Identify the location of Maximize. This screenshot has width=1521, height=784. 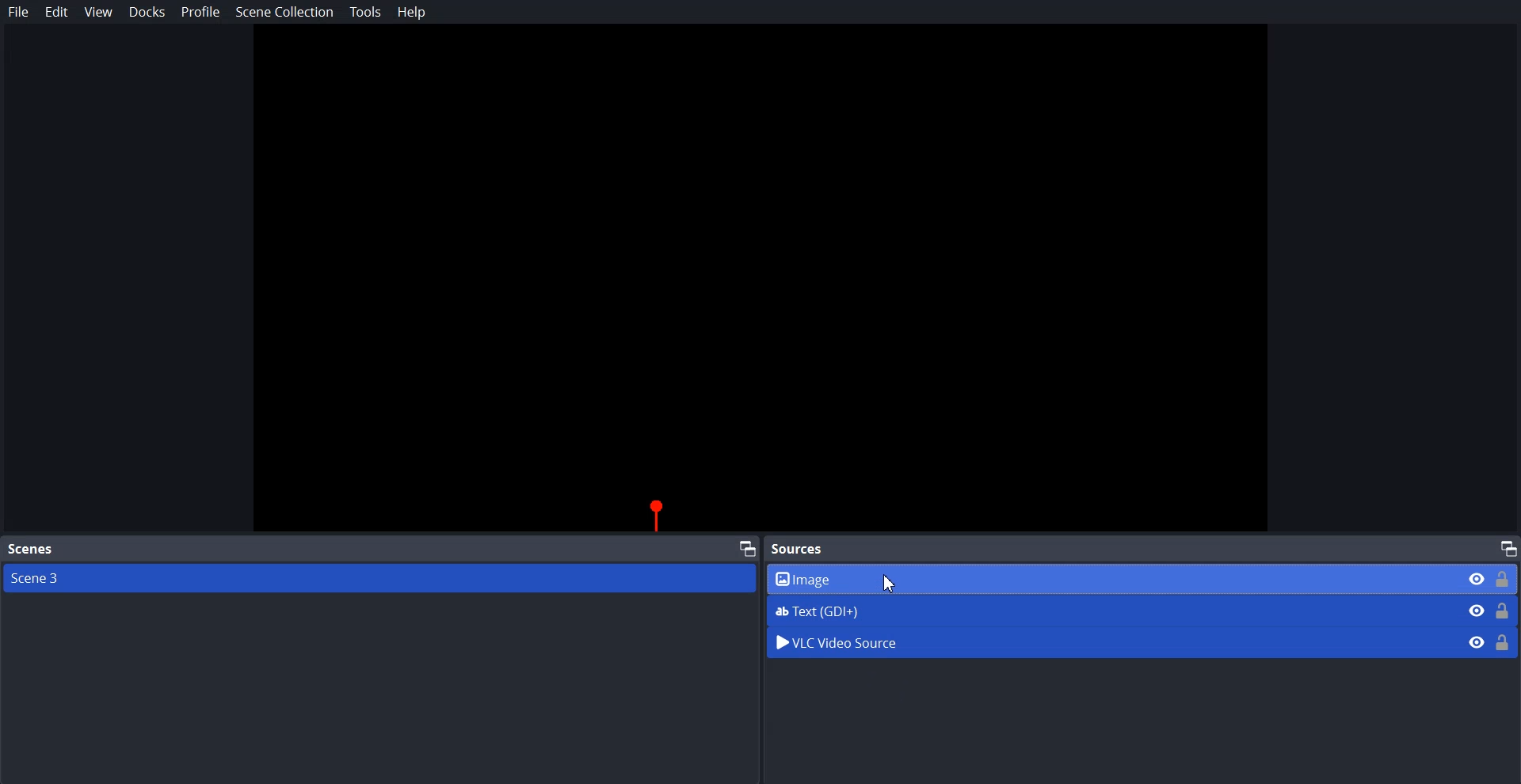
(748, 547).